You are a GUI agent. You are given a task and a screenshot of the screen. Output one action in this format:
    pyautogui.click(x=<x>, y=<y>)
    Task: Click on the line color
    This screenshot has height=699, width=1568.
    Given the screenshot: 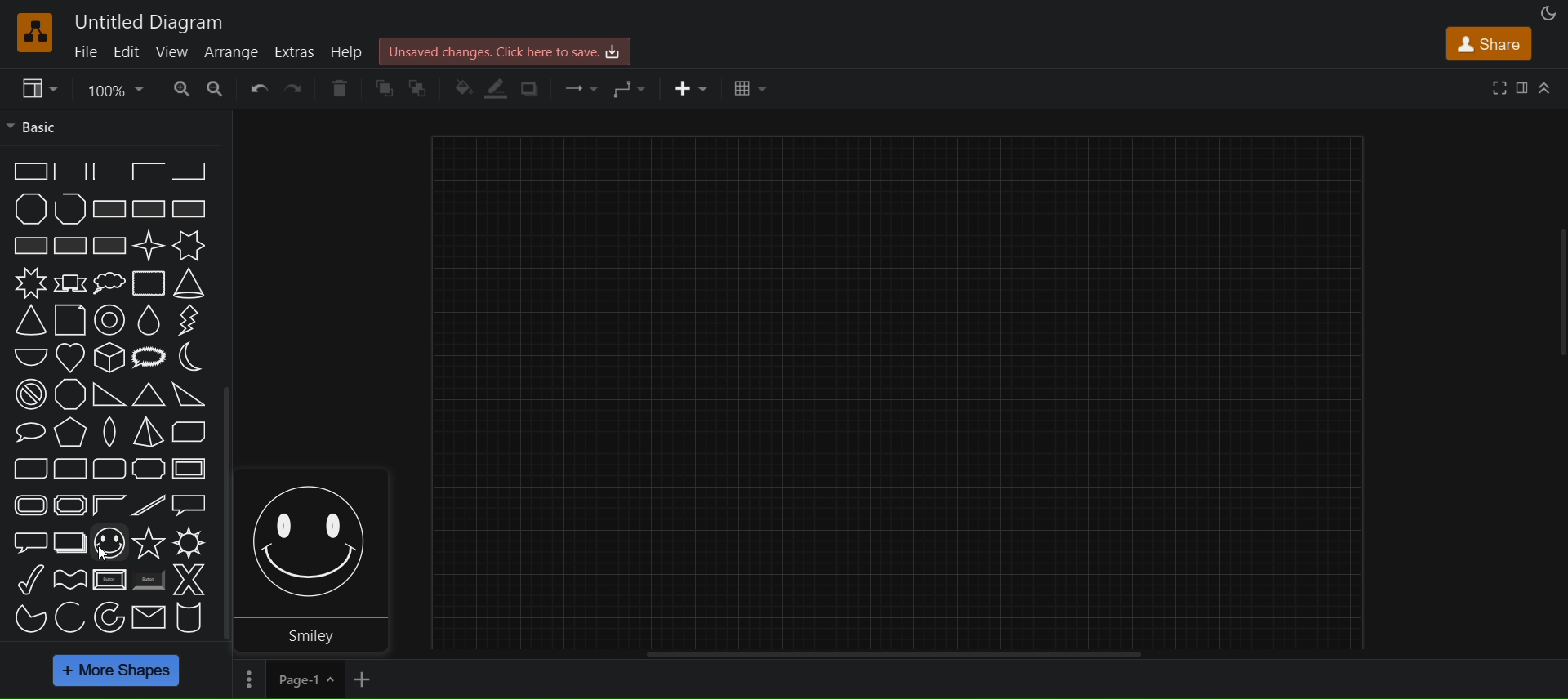 What is the action you would take?
    pyautogui.click(x=498, y=87)
    